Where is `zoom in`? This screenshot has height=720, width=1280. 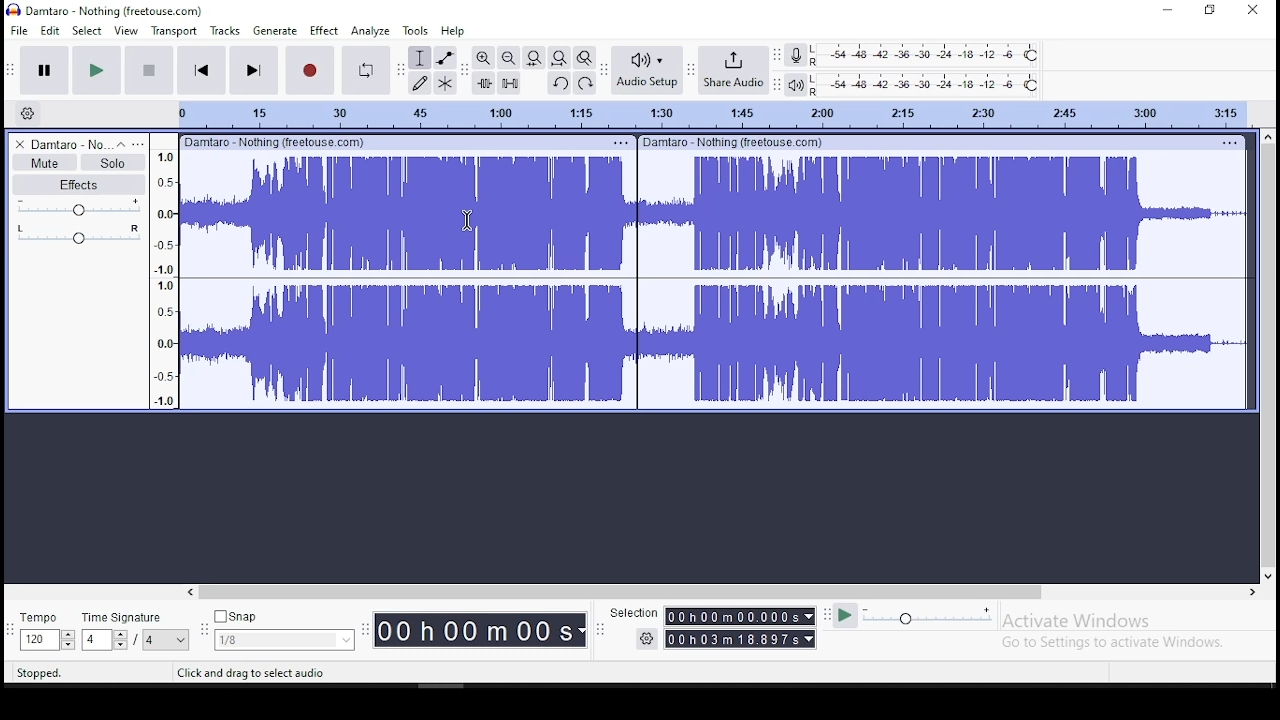
zoom in is located at coordinates (483, 56).